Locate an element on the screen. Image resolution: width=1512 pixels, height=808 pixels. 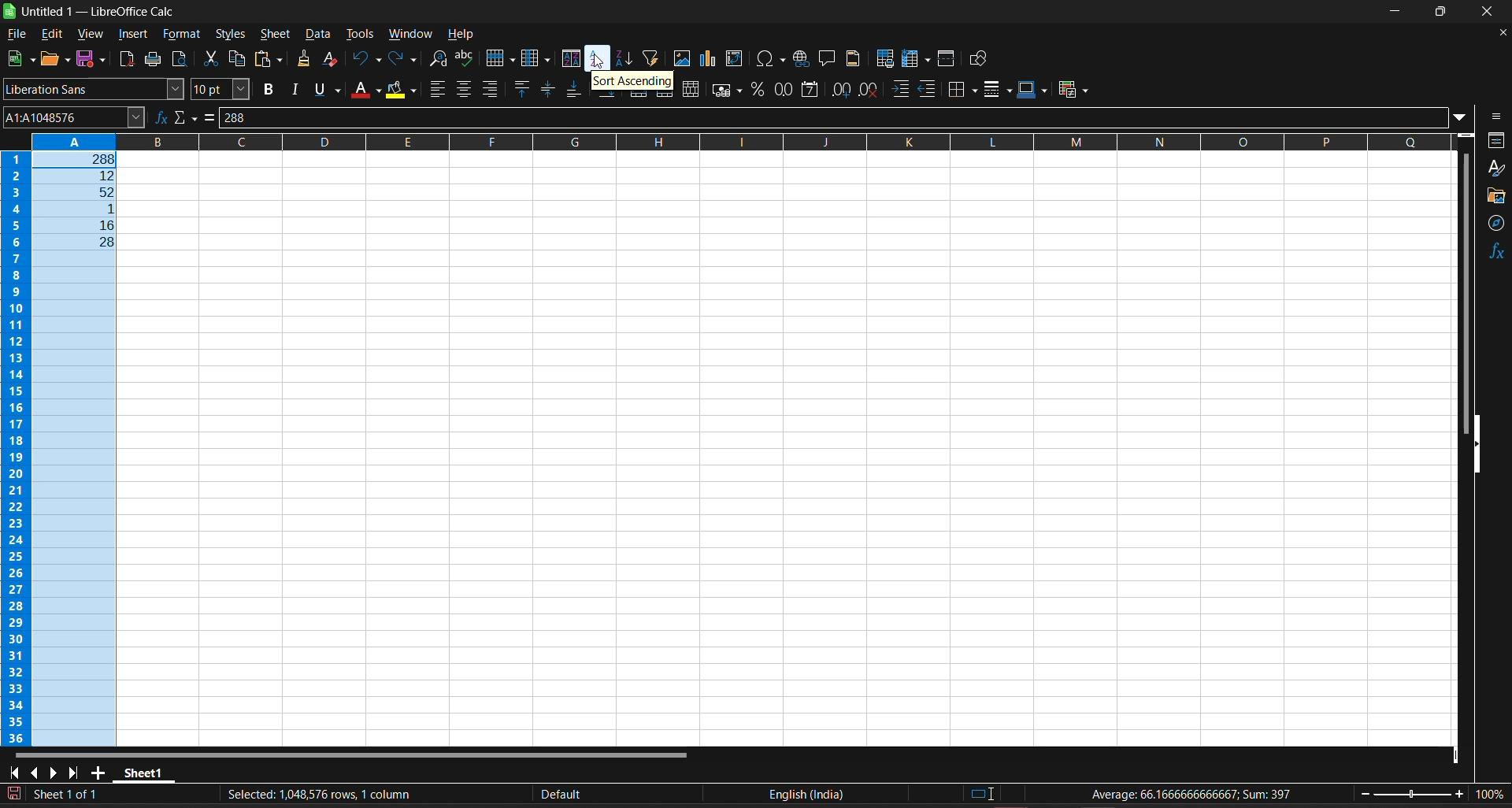
insert comment is located at coordinates (830, 58).